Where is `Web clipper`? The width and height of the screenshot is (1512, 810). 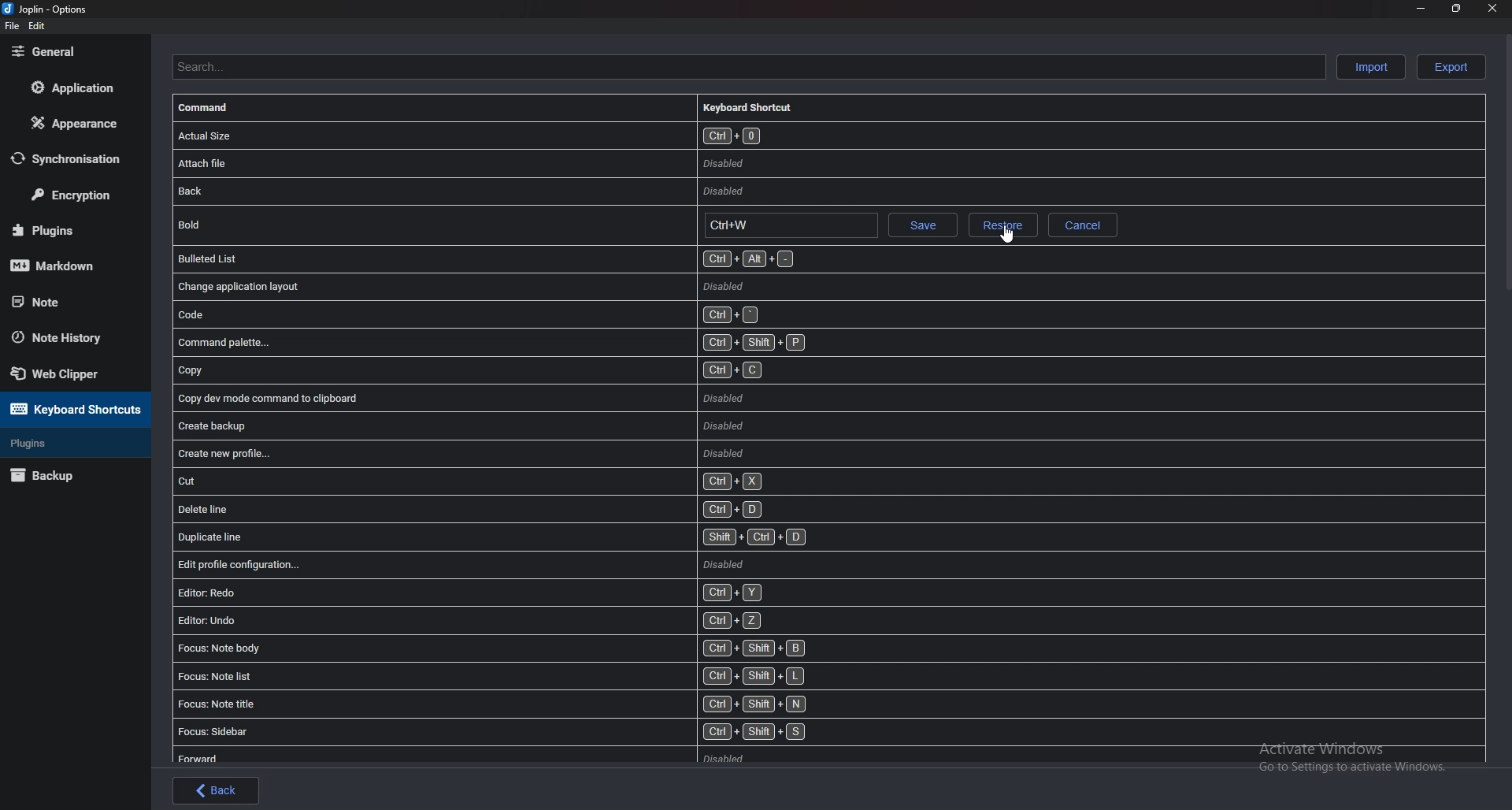 Web clipper is located at coordinates (74, 373).